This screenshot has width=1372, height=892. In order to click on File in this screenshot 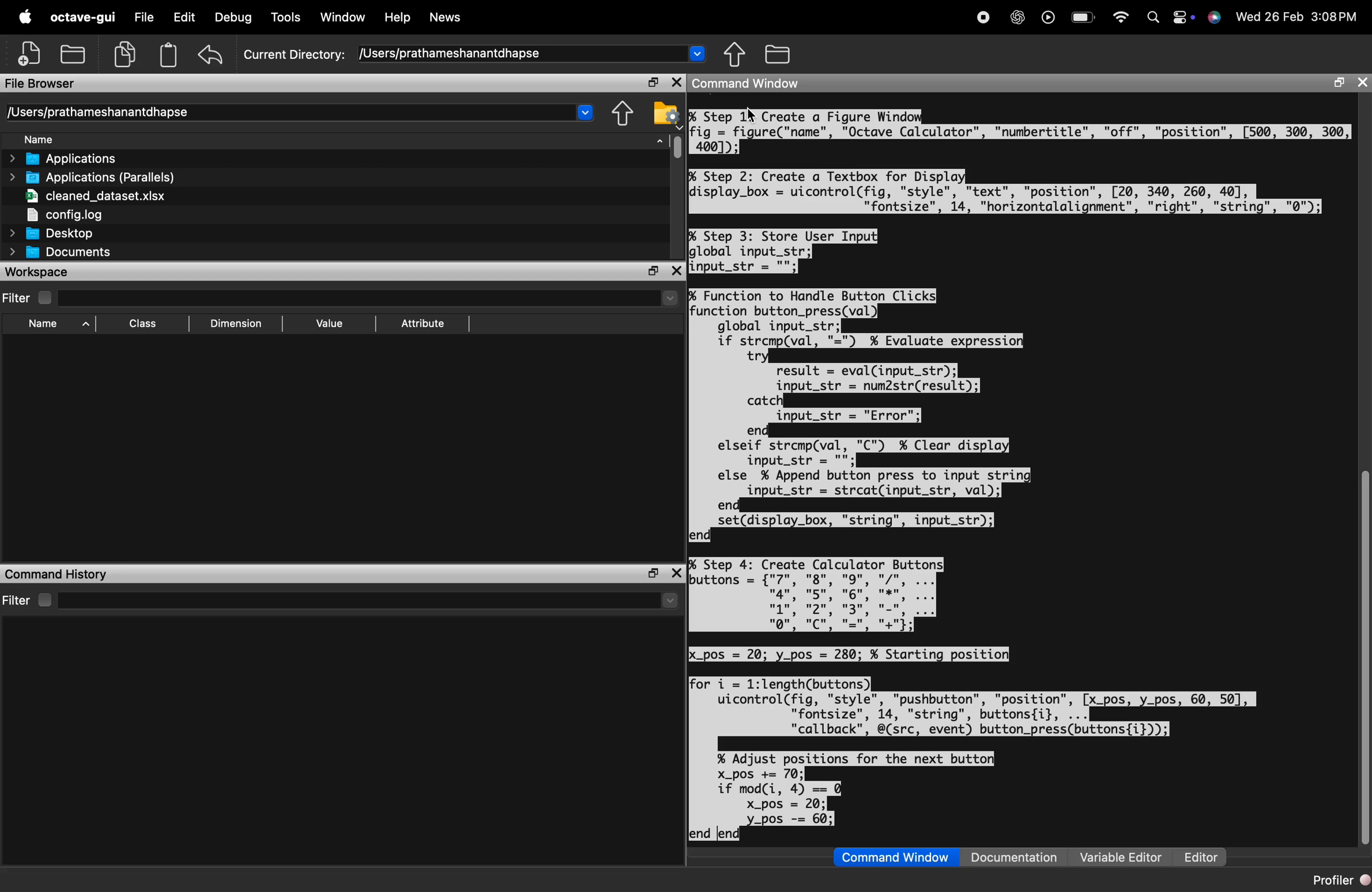, I will do `click(142, 17)`.